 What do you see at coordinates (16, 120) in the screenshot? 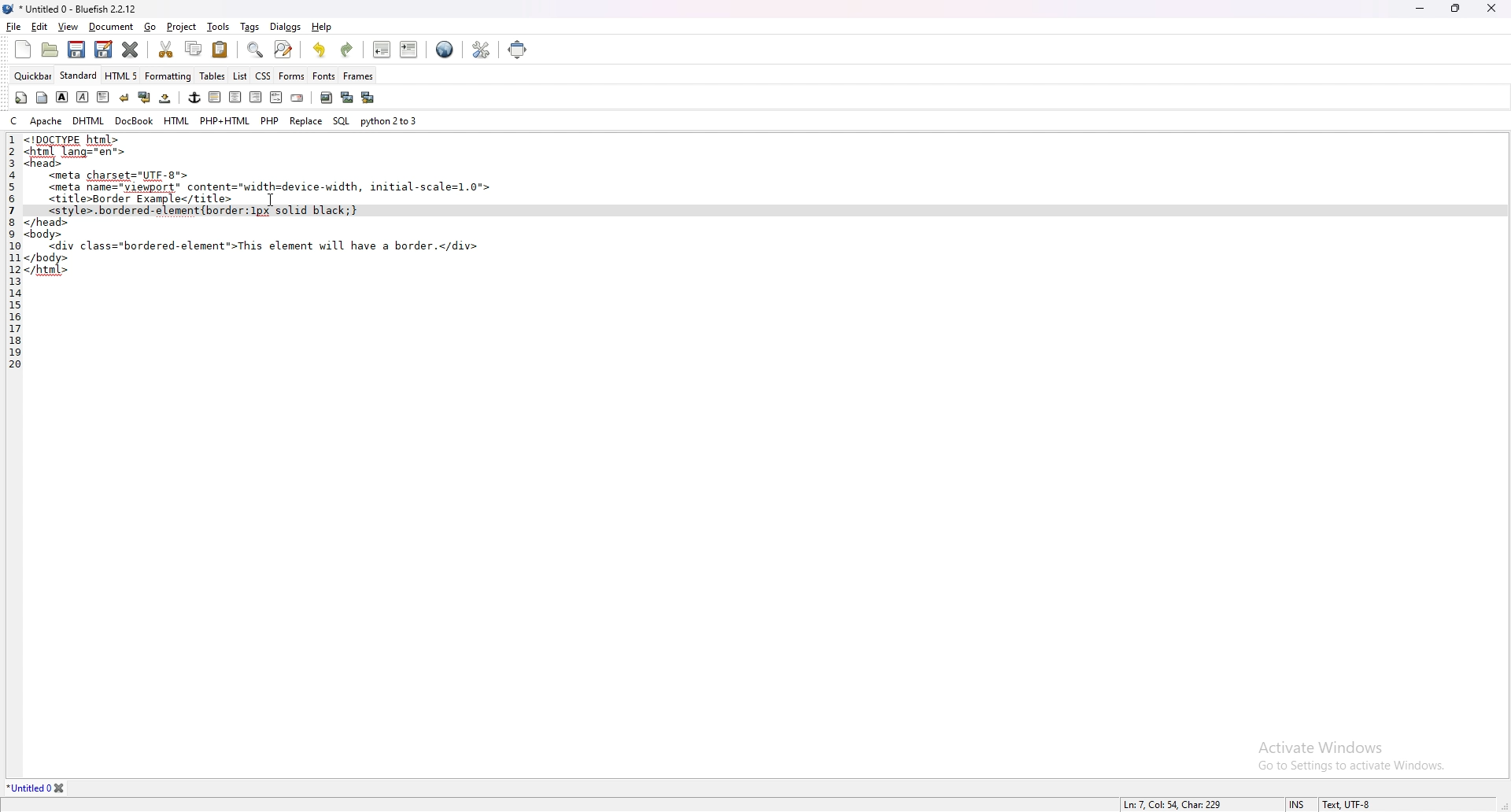
I see `c` at bounding box center [16, 120].